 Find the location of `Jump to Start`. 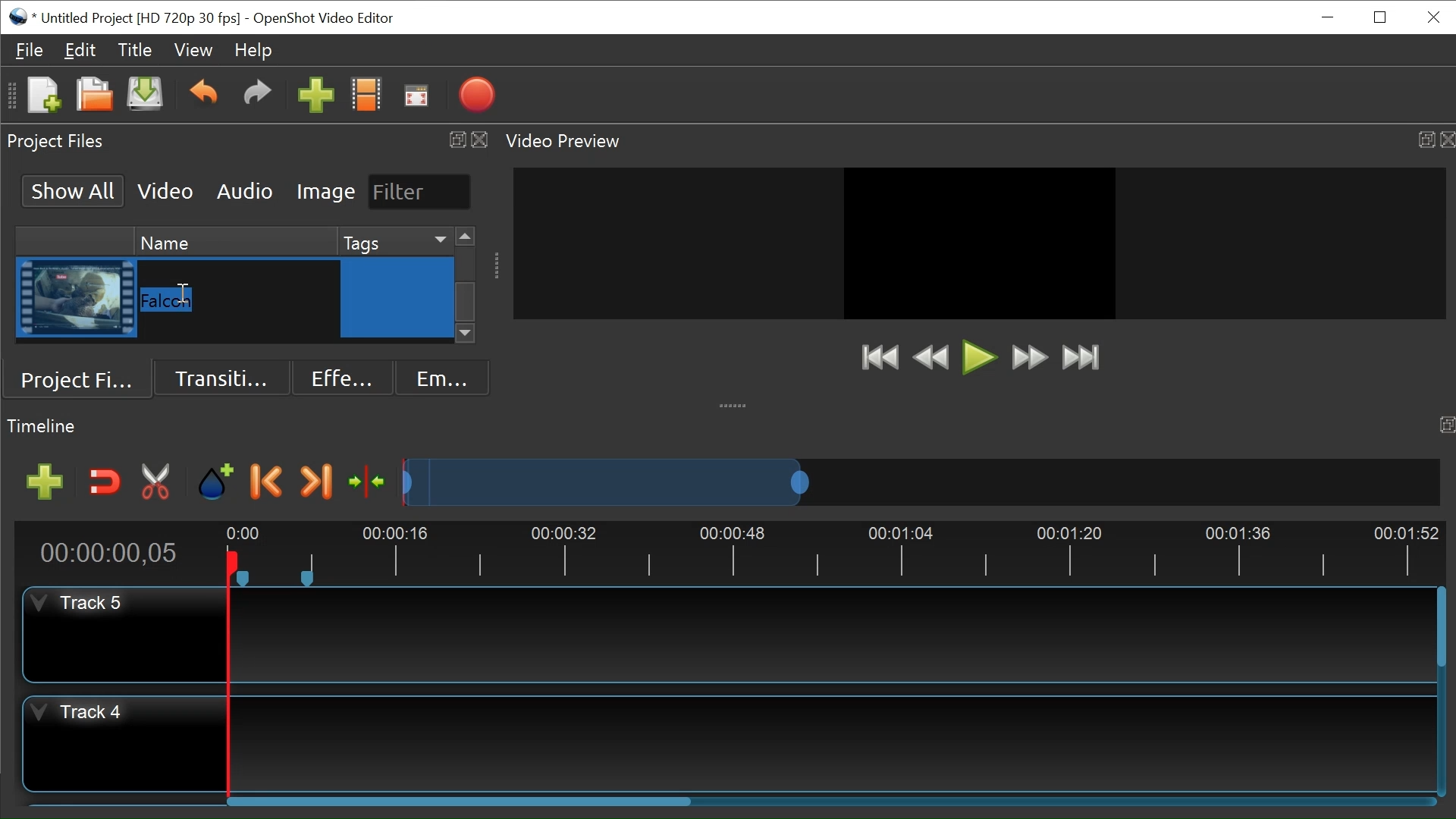

Jump to Start is located at coordinates (879, 359).